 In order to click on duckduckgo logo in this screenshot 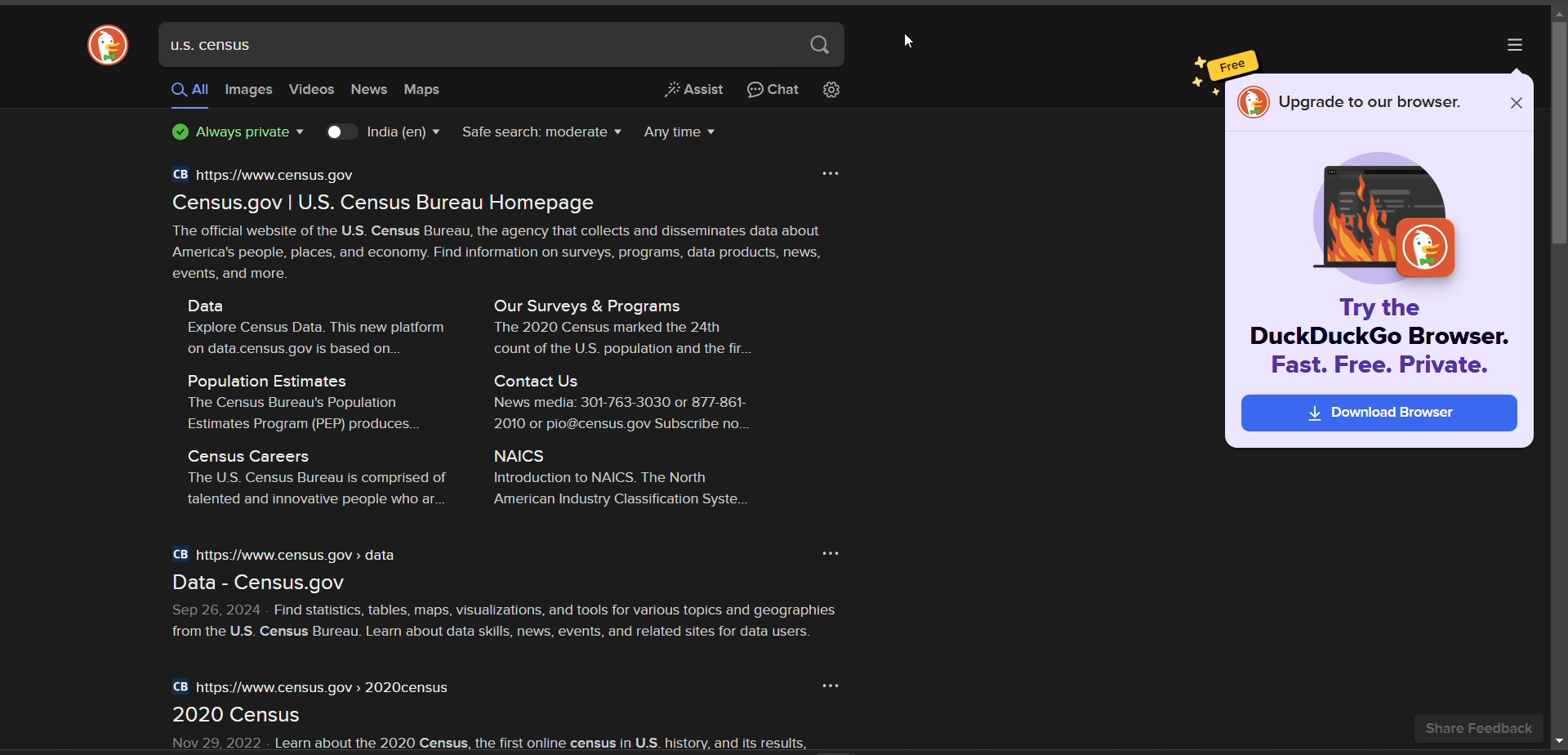, I will do `click(1254, 104)`.